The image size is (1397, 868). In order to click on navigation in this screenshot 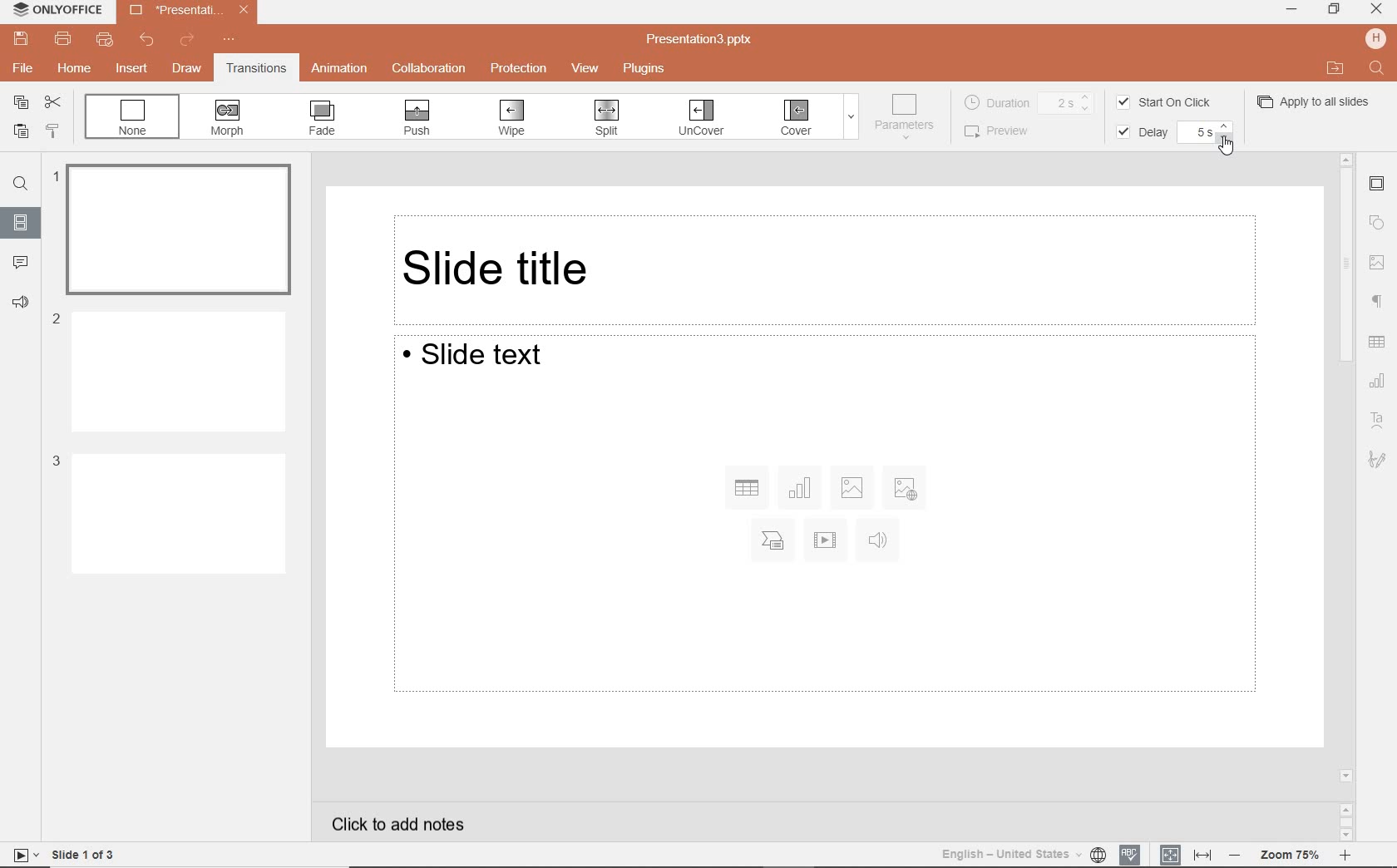, I will do `click(1377, 264)`.